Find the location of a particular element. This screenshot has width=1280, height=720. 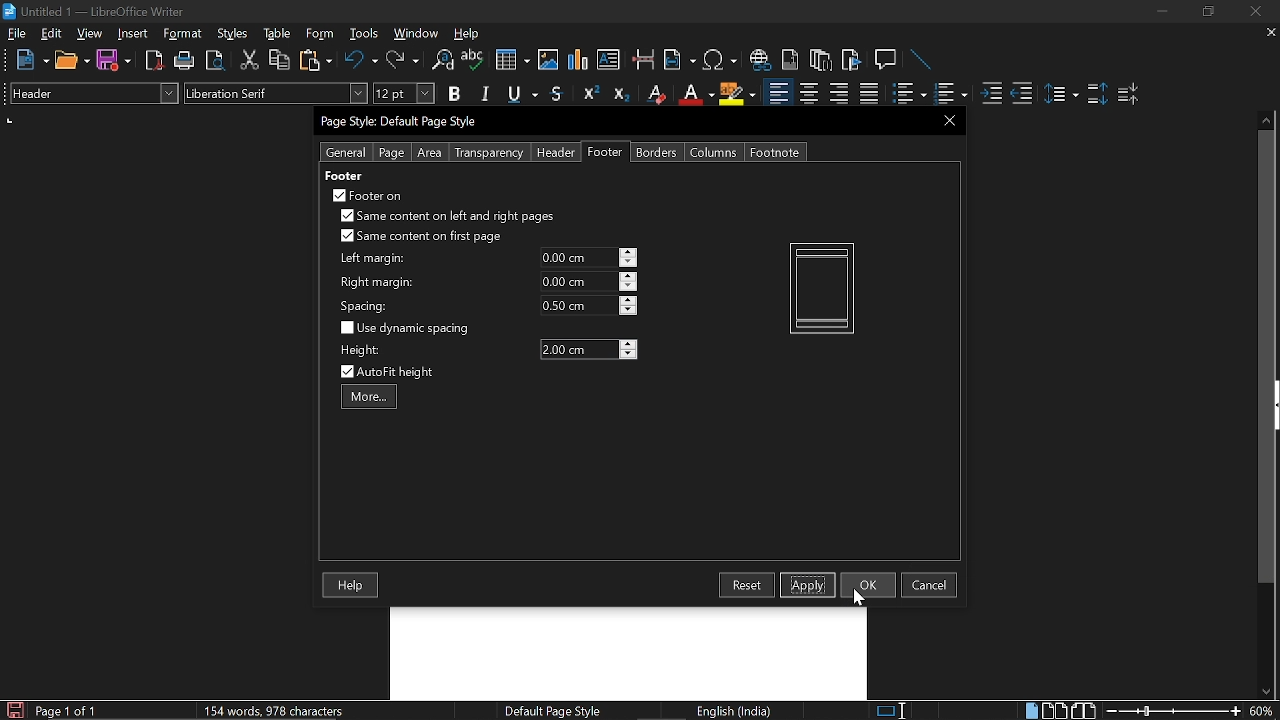

Toggle preview is located at coordinates (214, 61).